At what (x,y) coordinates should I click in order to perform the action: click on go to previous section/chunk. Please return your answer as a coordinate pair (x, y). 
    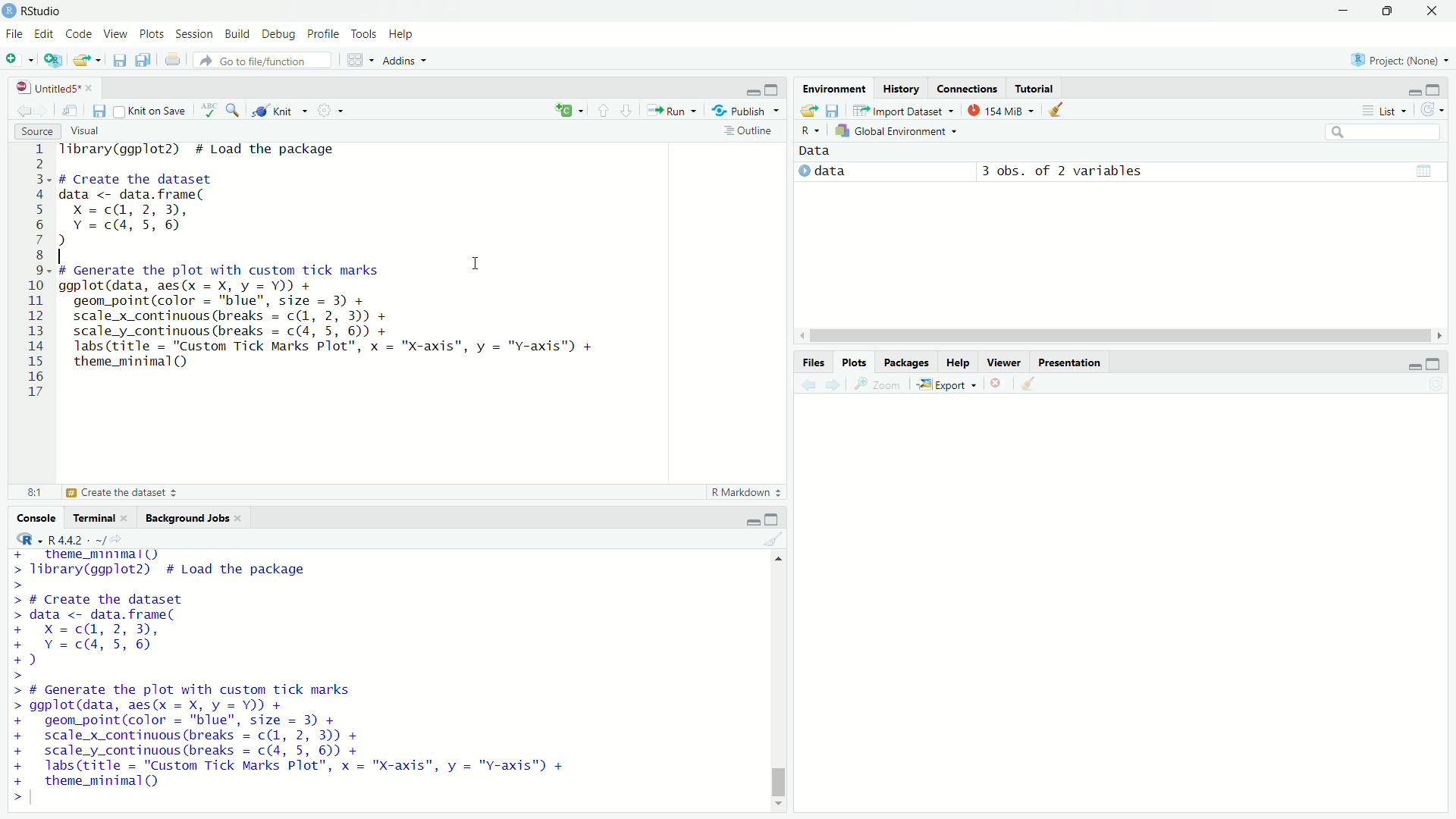
    Looking at the image, I should click on (602, 110).